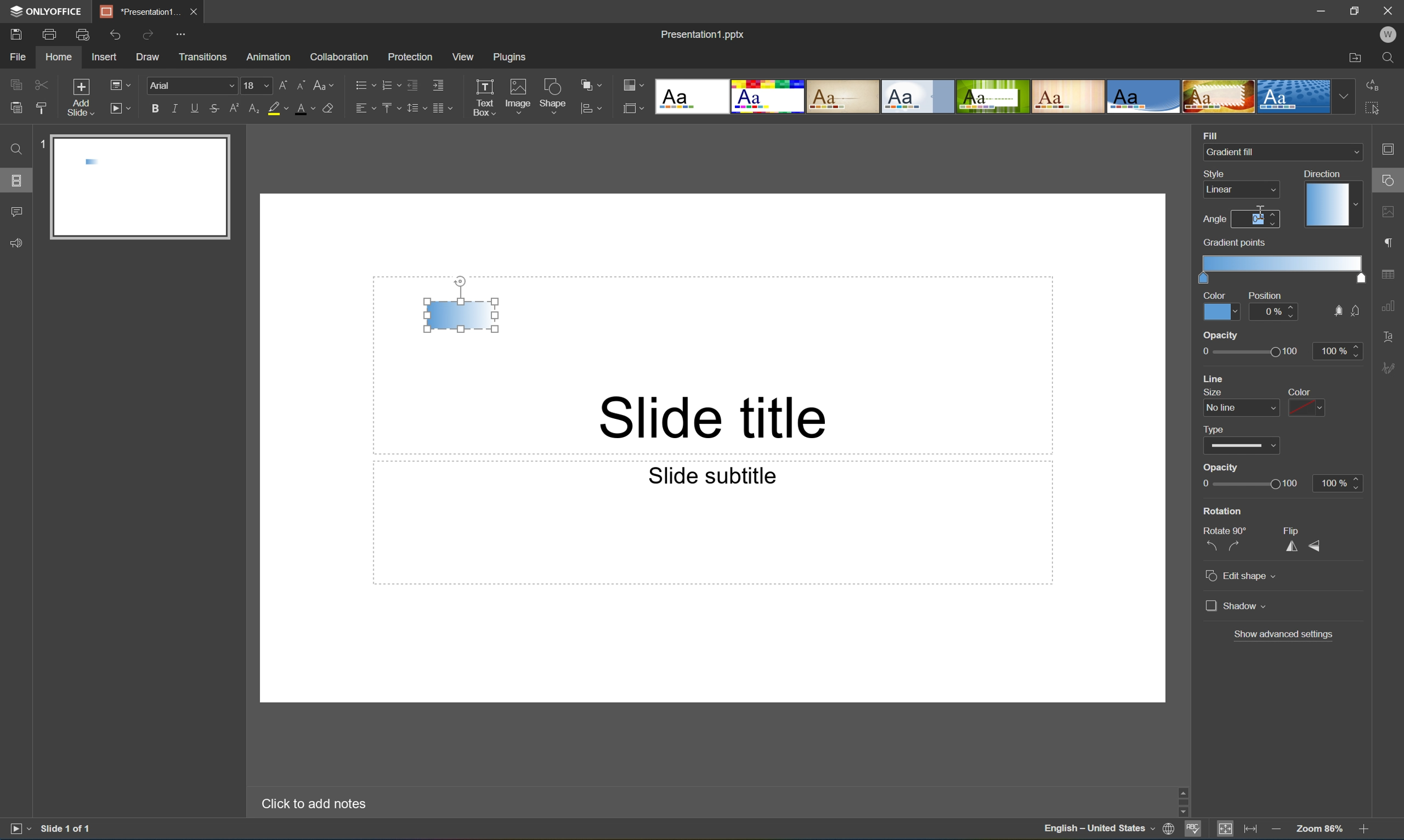 The width and height of the screenshot is (1404, 840). I want to click on 1, so click(41, 147).